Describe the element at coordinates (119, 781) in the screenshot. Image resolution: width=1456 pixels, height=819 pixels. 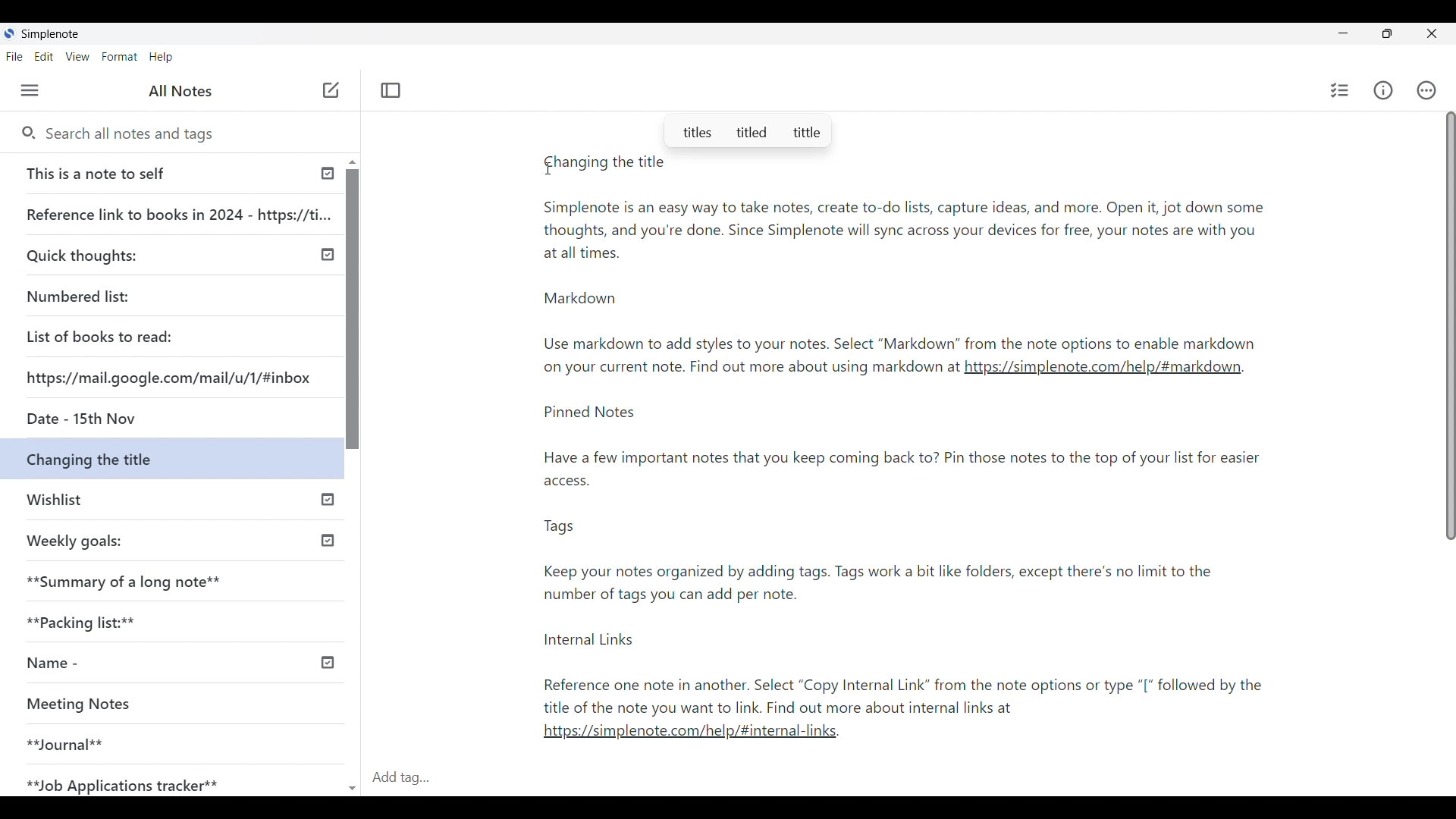
I see `Job Application tracker` at that location.